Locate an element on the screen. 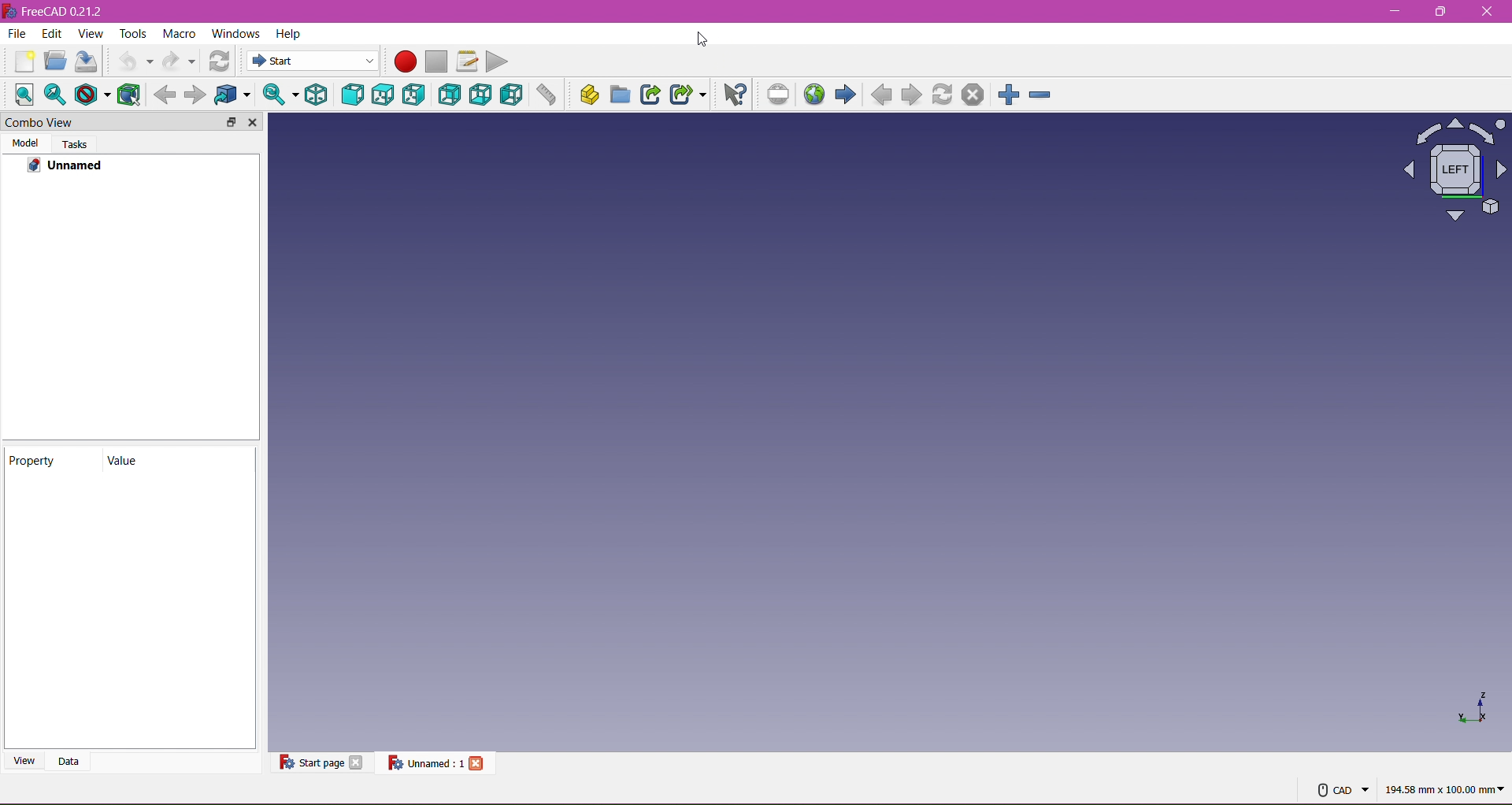 The height and width of the screenshot is (805, 1512). Close Document is located at coordinates (973, 94).